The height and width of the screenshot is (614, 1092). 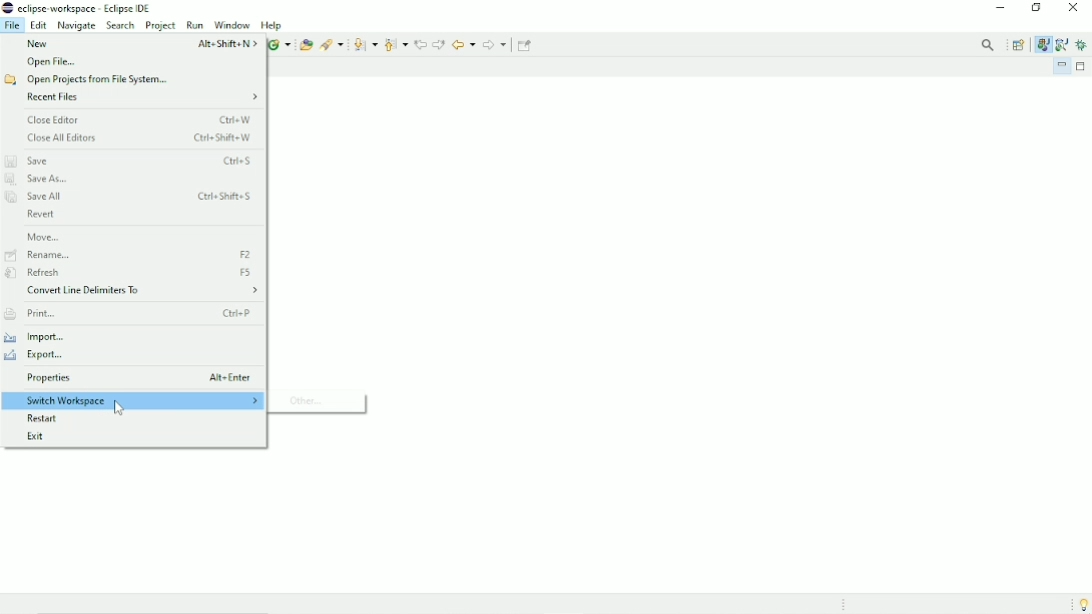 What do you see at coordinates (40, 356) in the screenshot?
I see `Export` at bounding box center [40, 356].